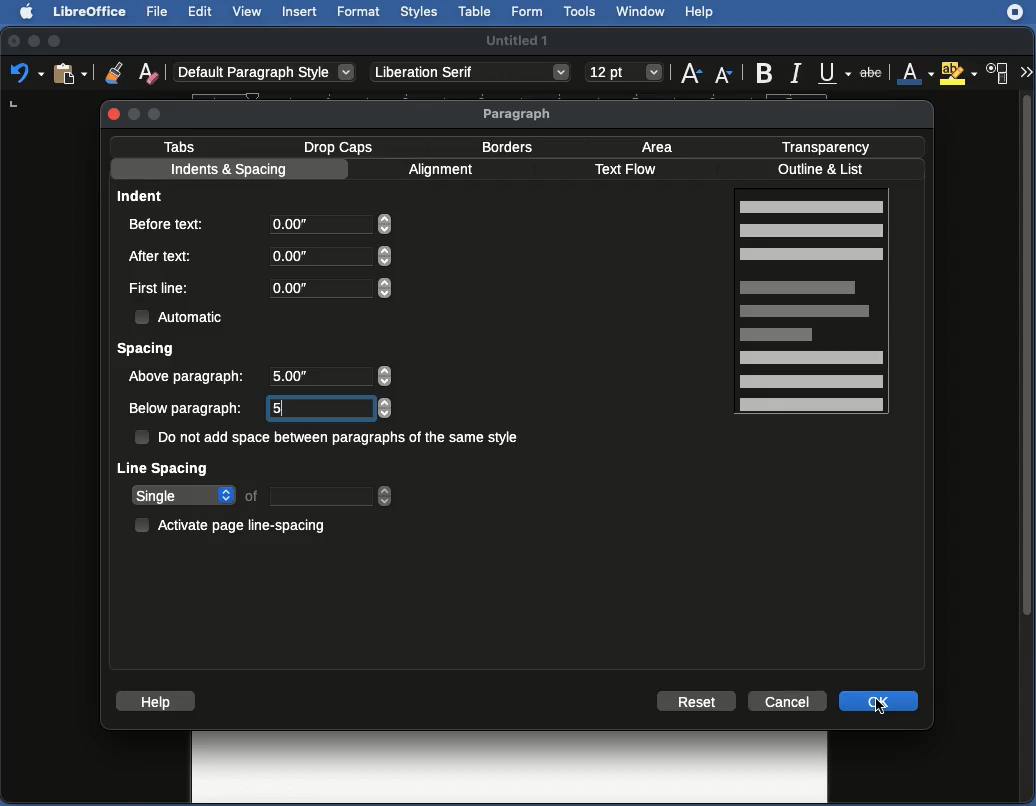 The width and height of the screenshot is (1036, 806). Describe the element at coordinates (234, 522) in the screenshot. I see `Activate page line-spacing` at that location.